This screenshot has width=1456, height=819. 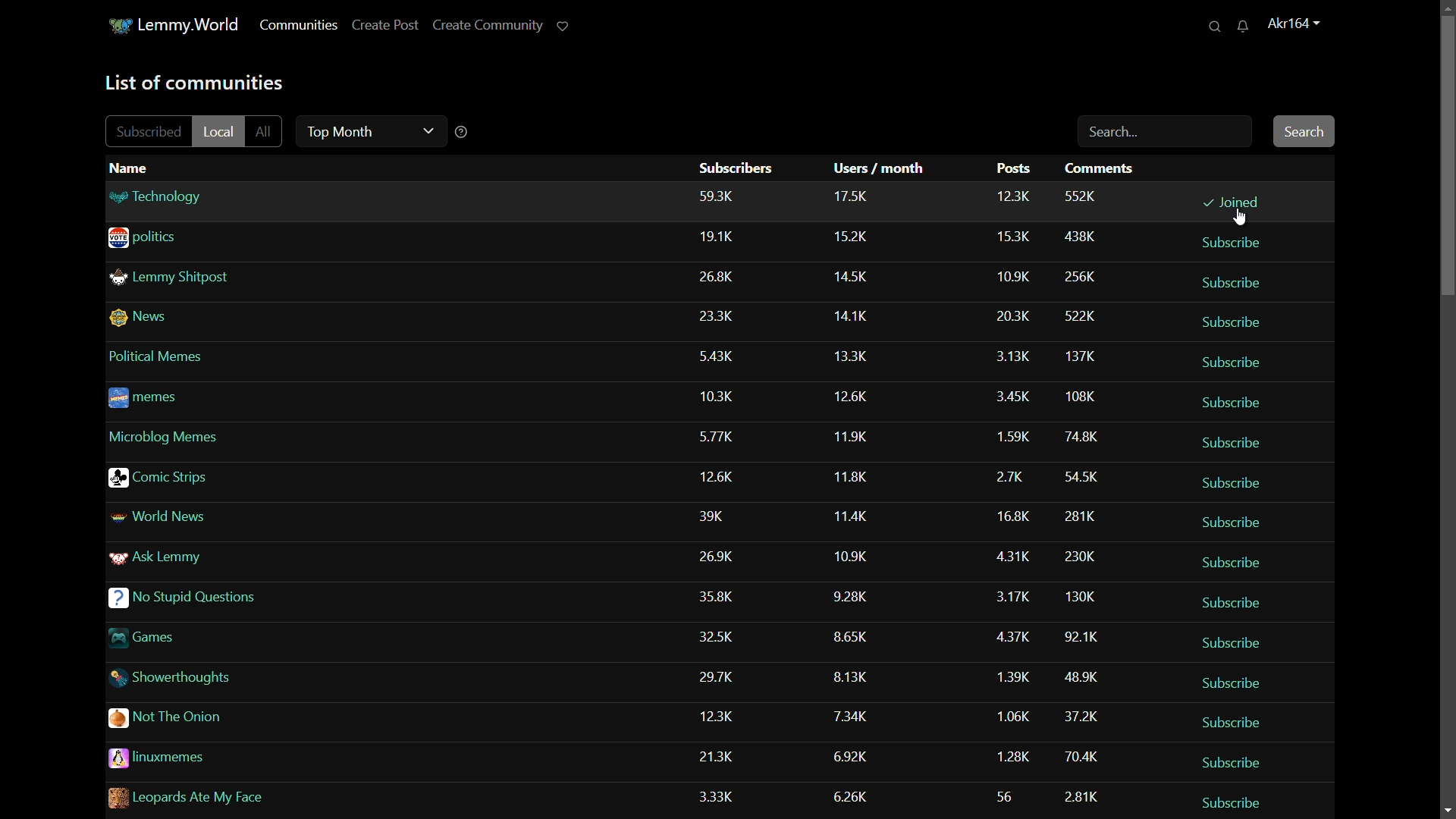 I want to click on vertical scroll bar, so click(x=1445, y=135).